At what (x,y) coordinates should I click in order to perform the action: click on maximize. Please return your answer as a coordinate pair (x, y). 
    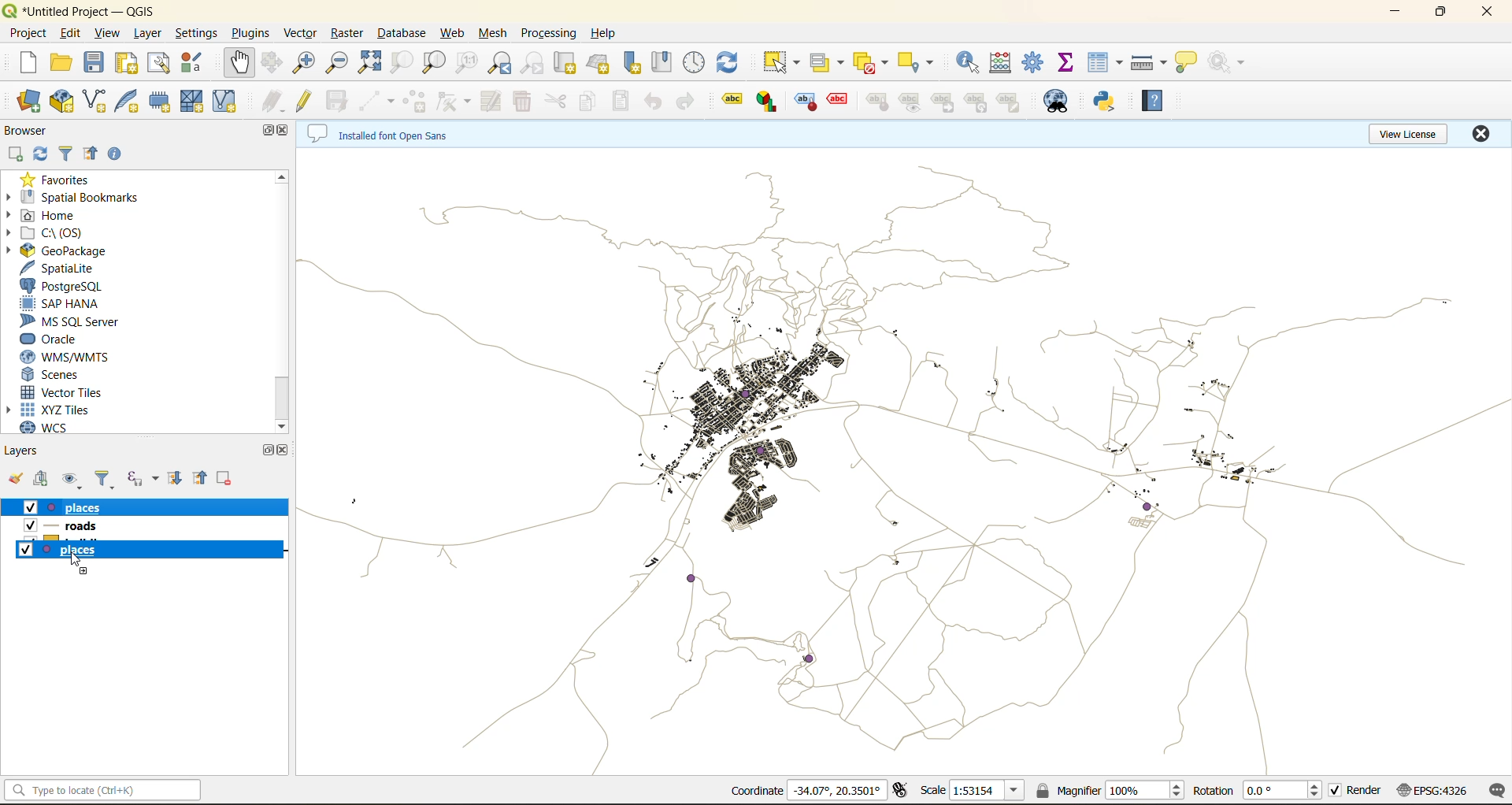
    Looking at the image, I should click on (263, 132).